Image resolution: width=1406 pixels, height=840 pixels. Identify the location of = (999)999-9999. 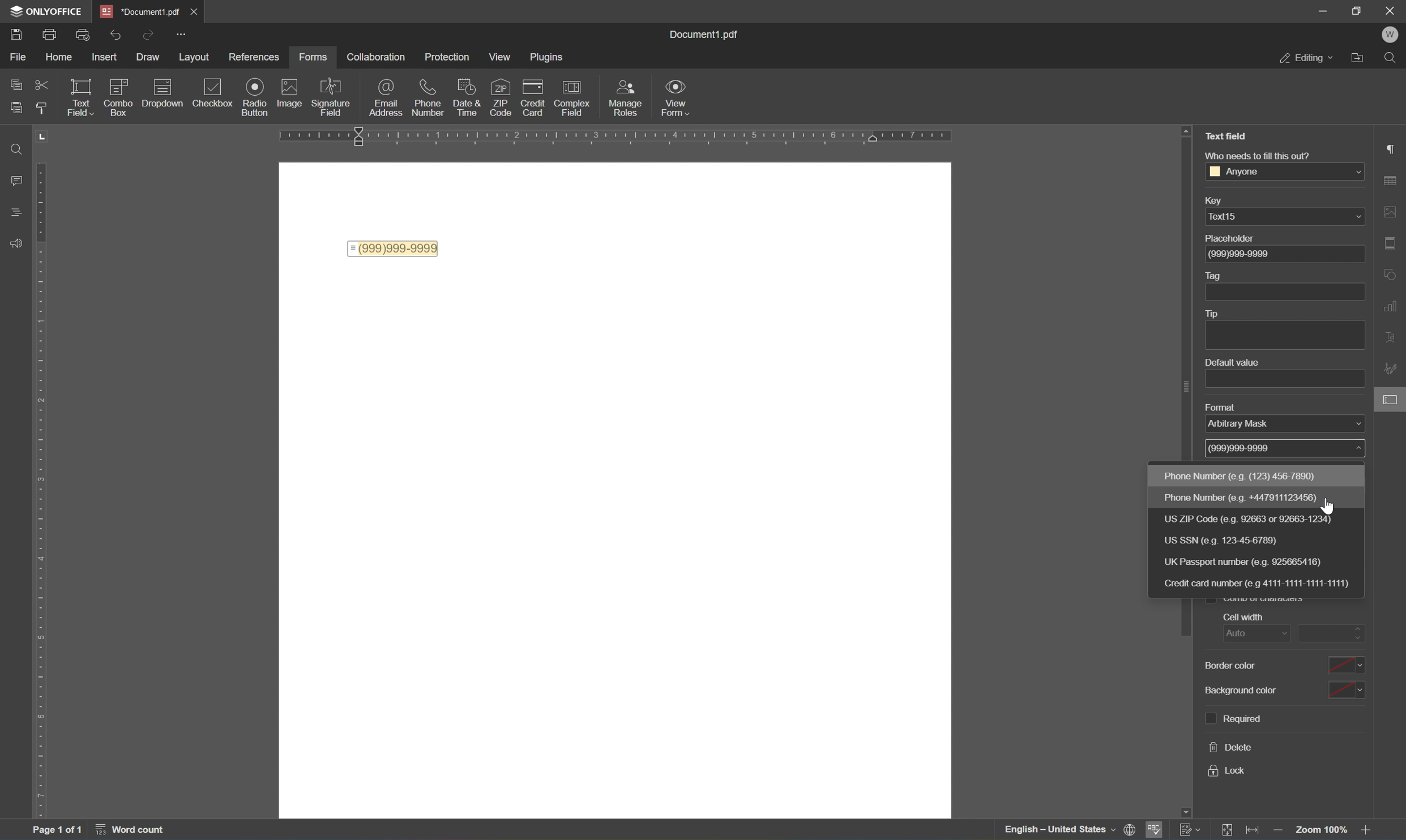
(394, 248).